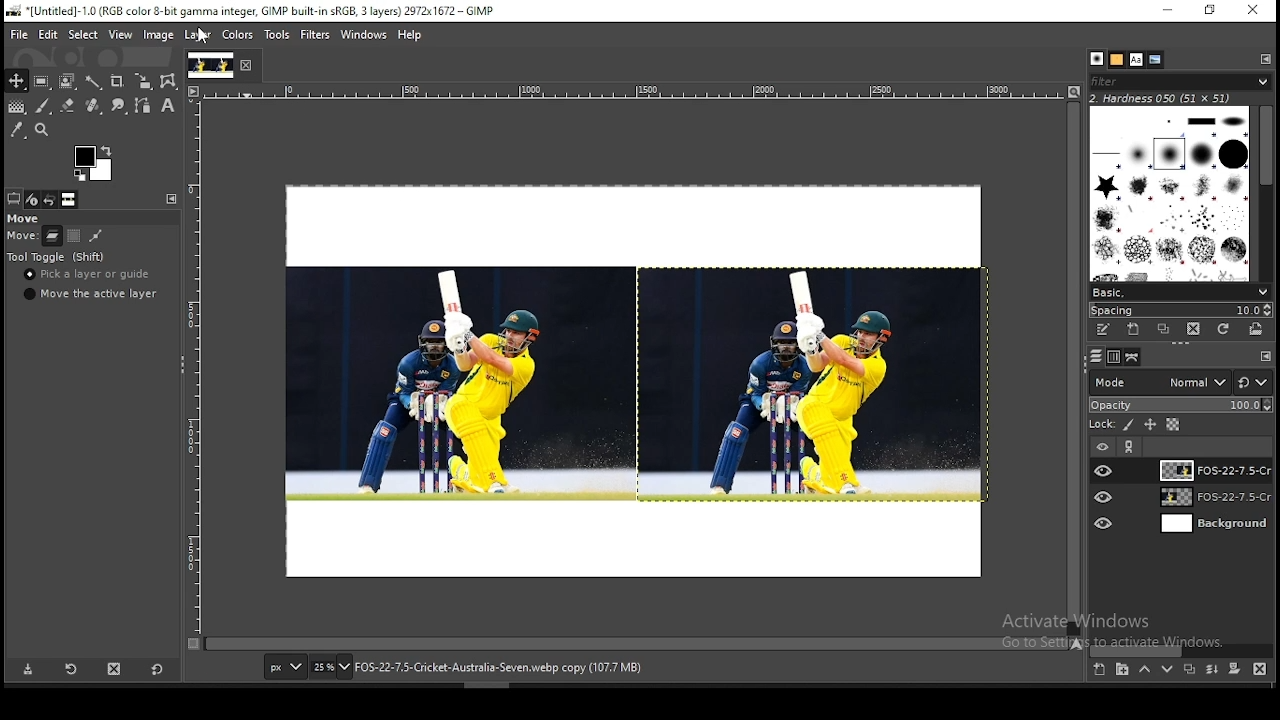 The width and height of the screenshot is (1280, 720). What do you see at coordinates (1213, 524) in the screenshot?
I see `layer` at bounding box center [1213, 524].